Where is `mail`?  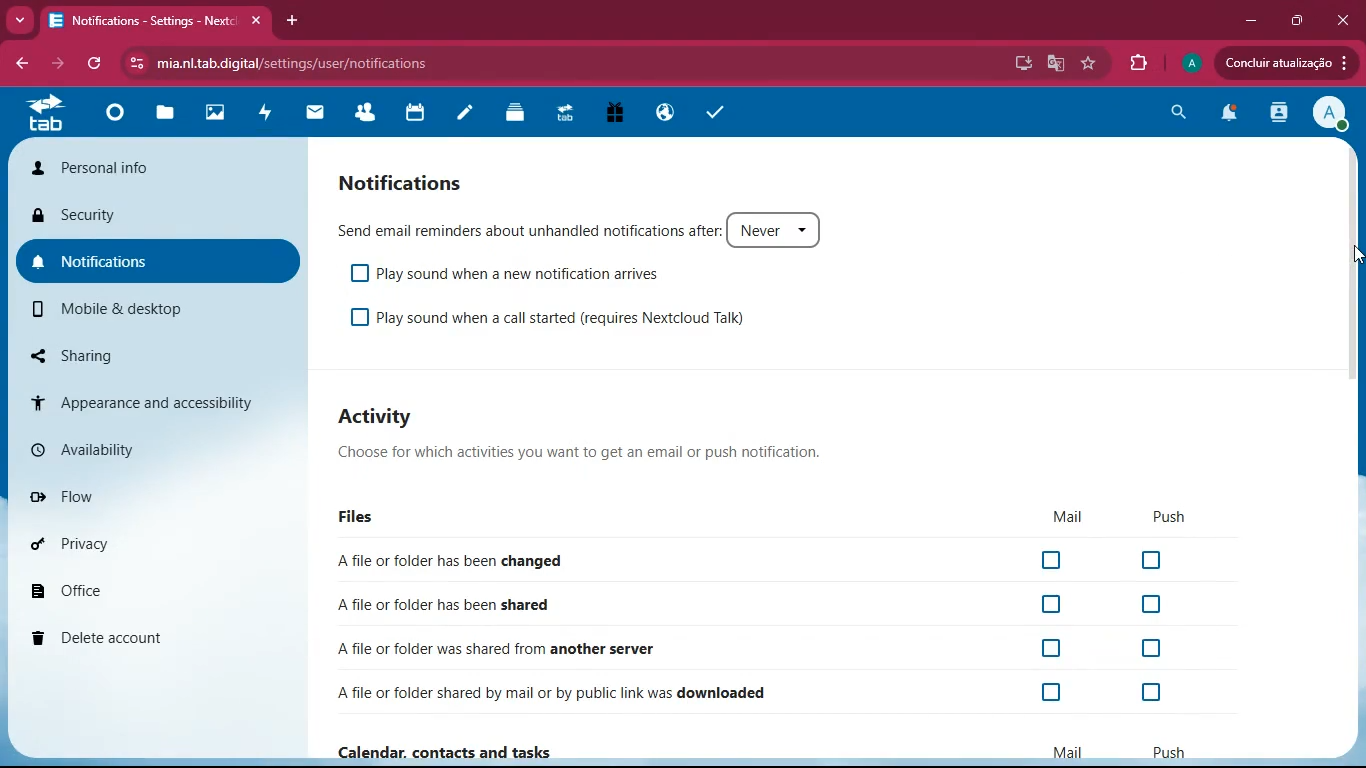 mail is located at coordinates (322, 115).